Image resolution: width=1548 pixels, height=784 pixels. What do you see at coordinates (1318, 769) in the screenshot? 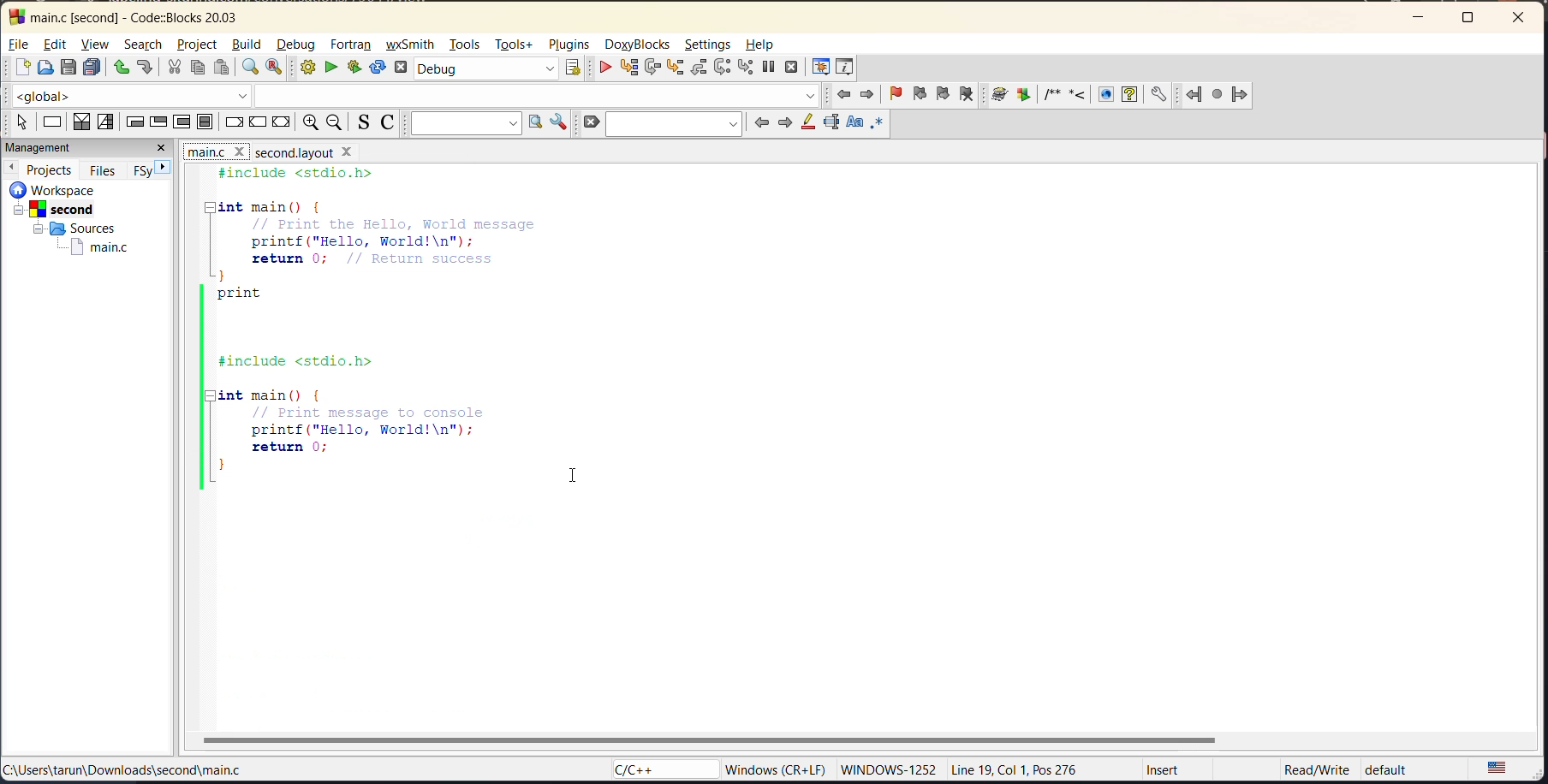
I see `‘Read/Write` at bounding box center [1318, 769].